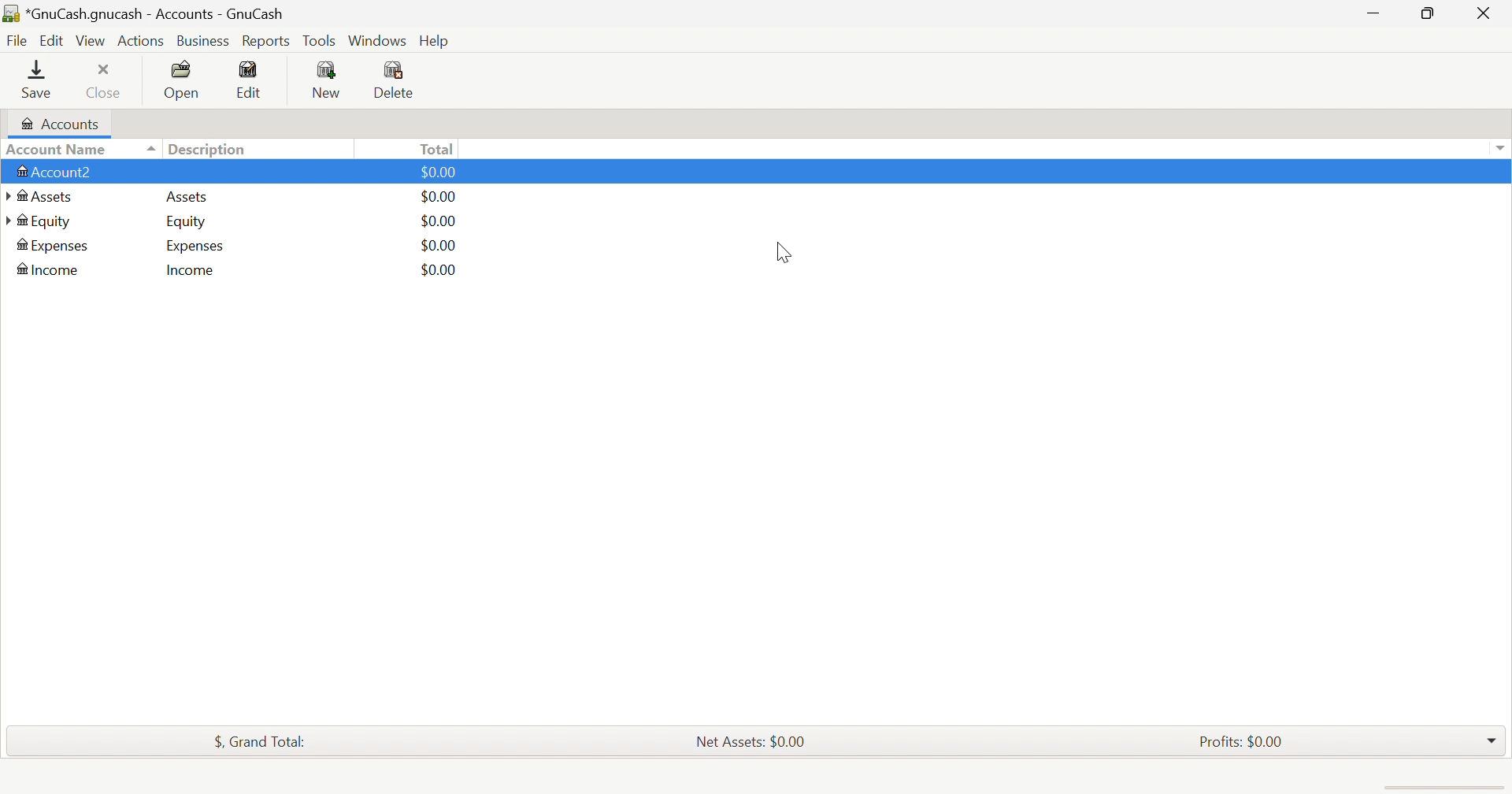 The image size is (1512, 794). Describe the element at coordinates (1372, 13) in the screenshot. I see `Minimize` at that location.